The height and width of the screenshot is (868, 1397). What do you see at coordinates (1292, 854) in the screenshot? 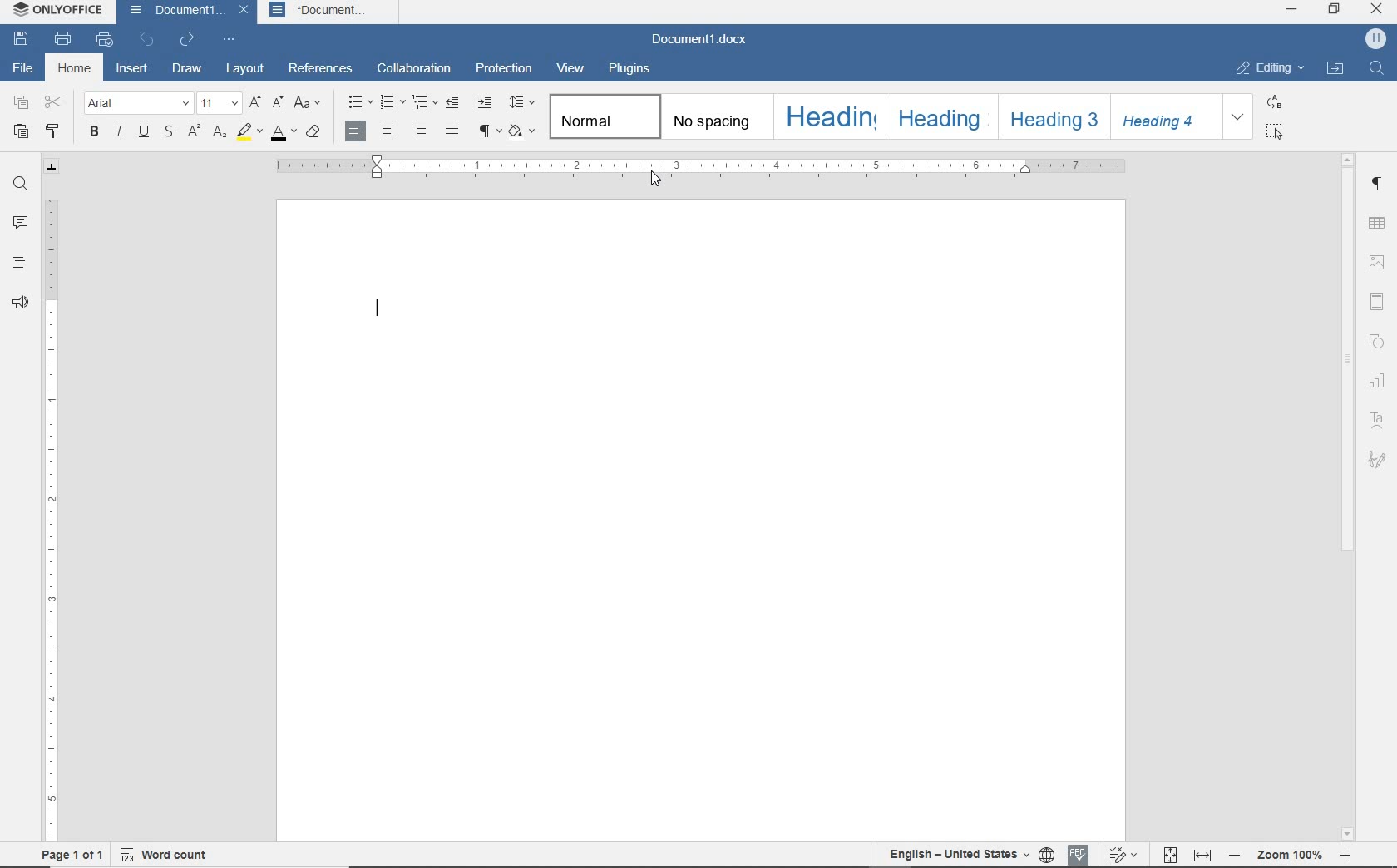
I see `Zoom 100%` at bounding box center [1292, 854].